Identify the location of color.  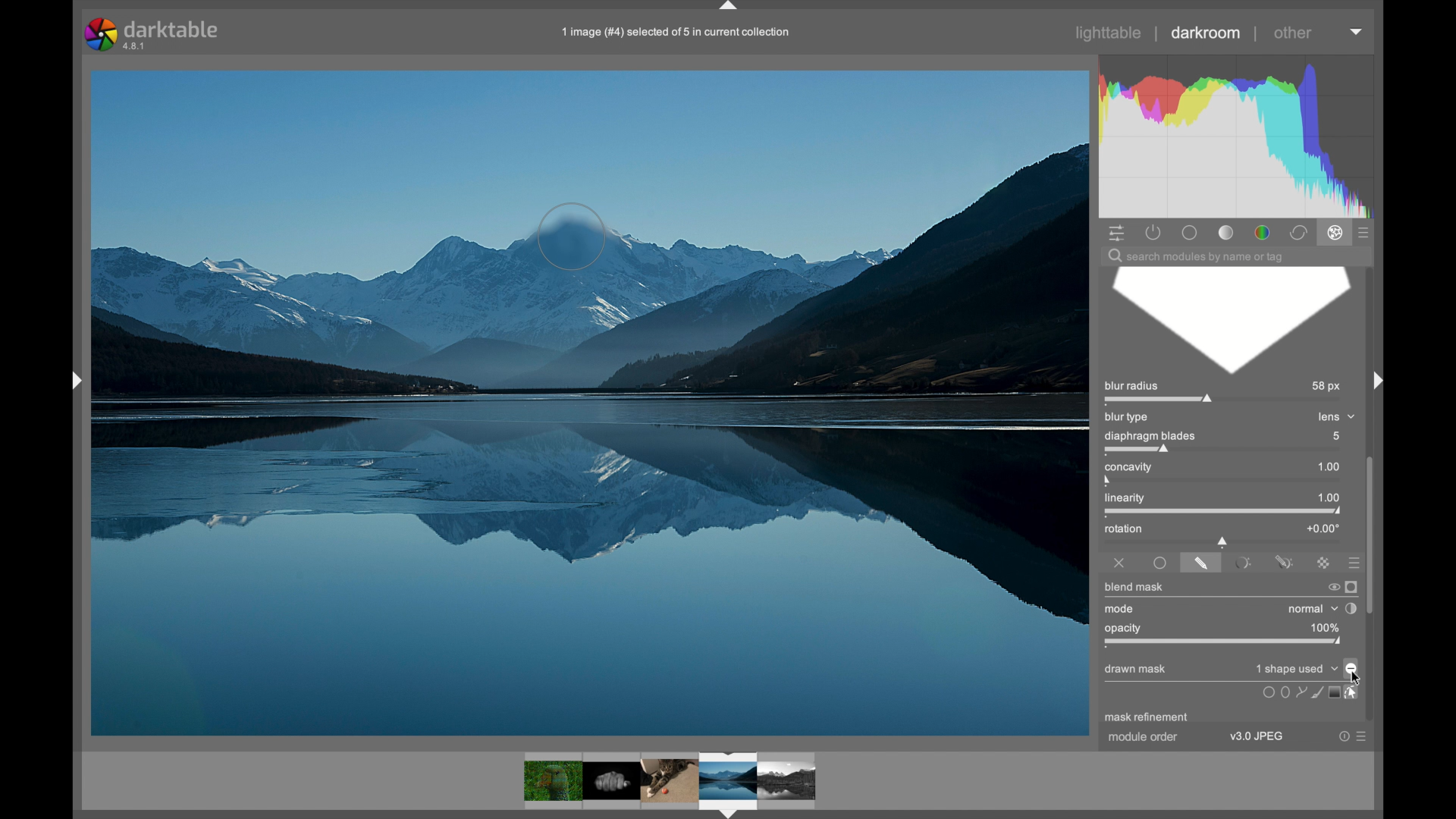
(1261, 232).